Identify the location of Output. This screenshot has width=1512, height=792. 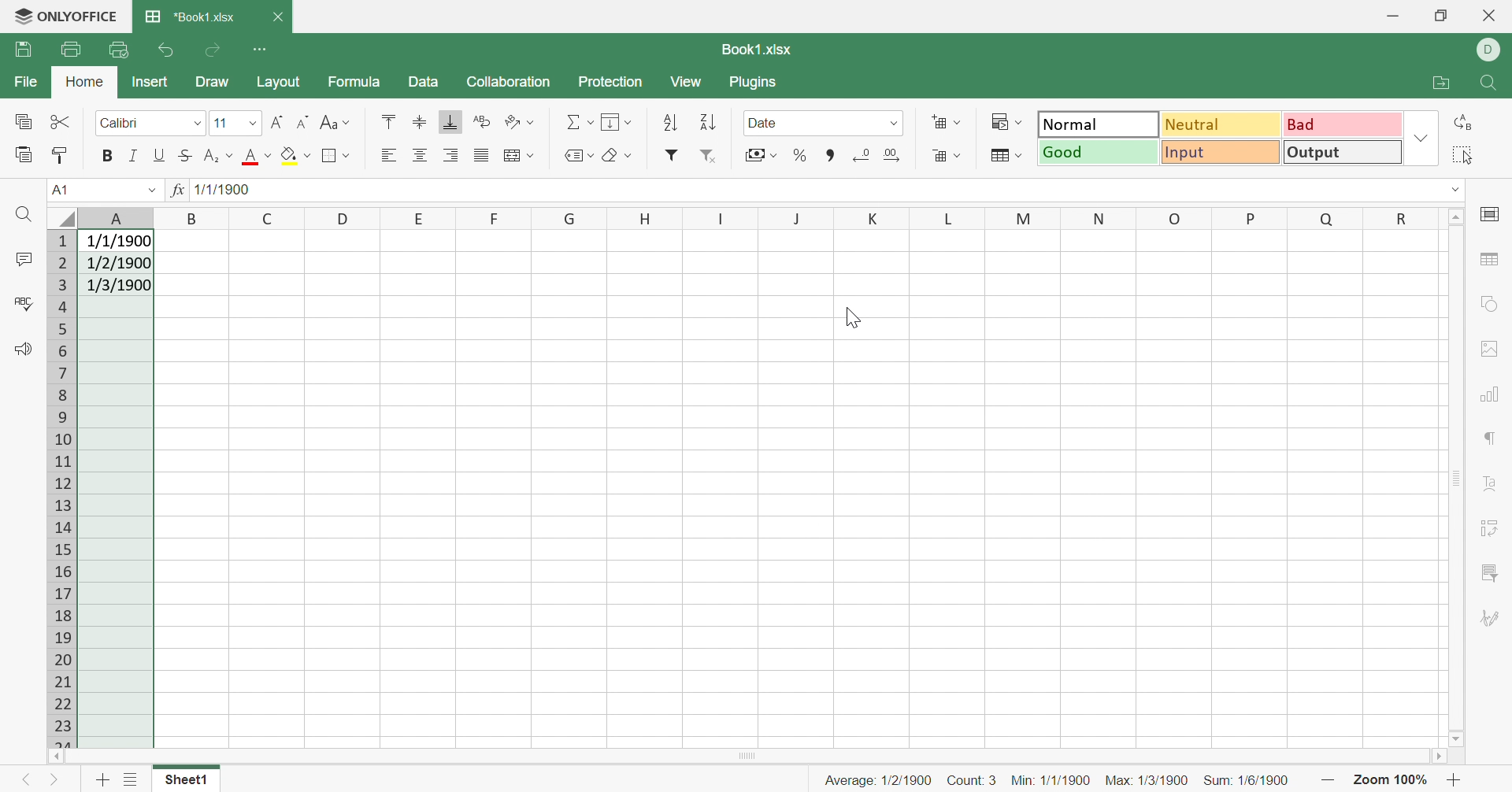
(1345, 152).